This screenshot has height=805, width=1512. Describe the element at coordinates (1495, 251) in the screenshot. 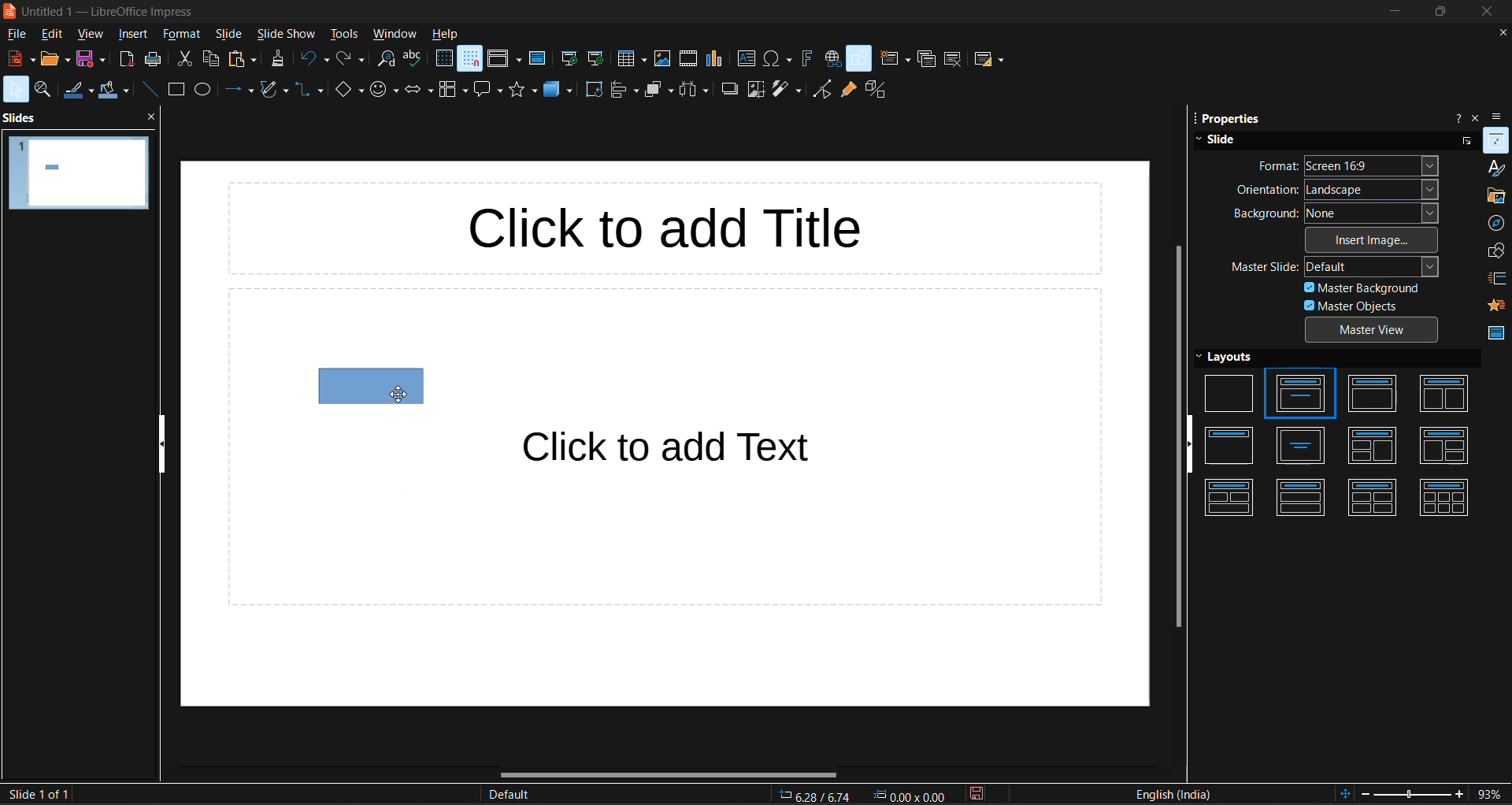

I see `shapes` at that location.